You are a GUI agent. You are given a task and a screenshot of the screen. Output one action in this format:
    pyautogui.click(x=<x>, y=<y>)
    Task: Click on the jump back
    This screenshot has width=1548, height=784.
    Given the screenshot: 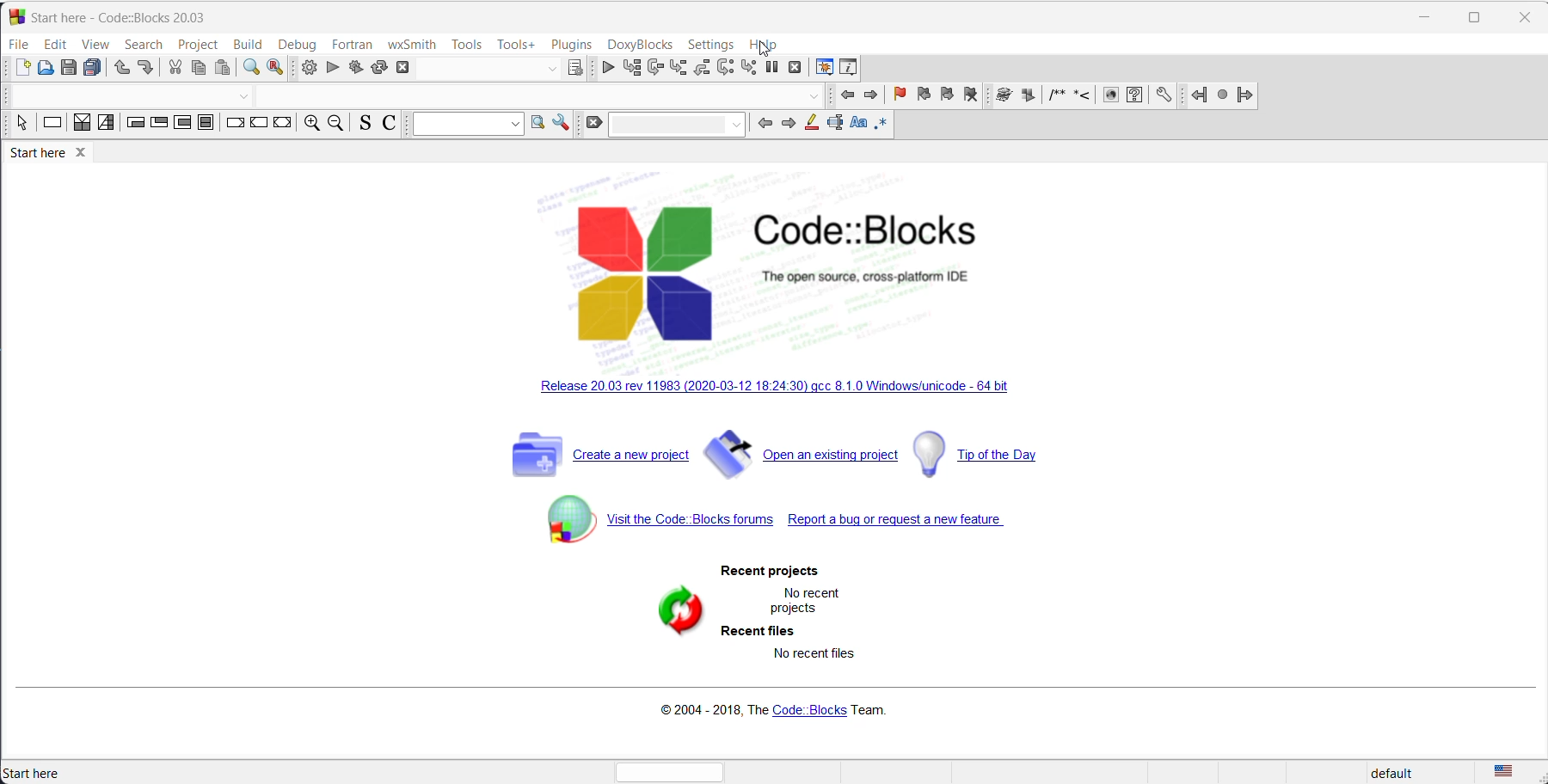 What is the action you would take?
    pyautogui.click(x=1202, y=94)
    